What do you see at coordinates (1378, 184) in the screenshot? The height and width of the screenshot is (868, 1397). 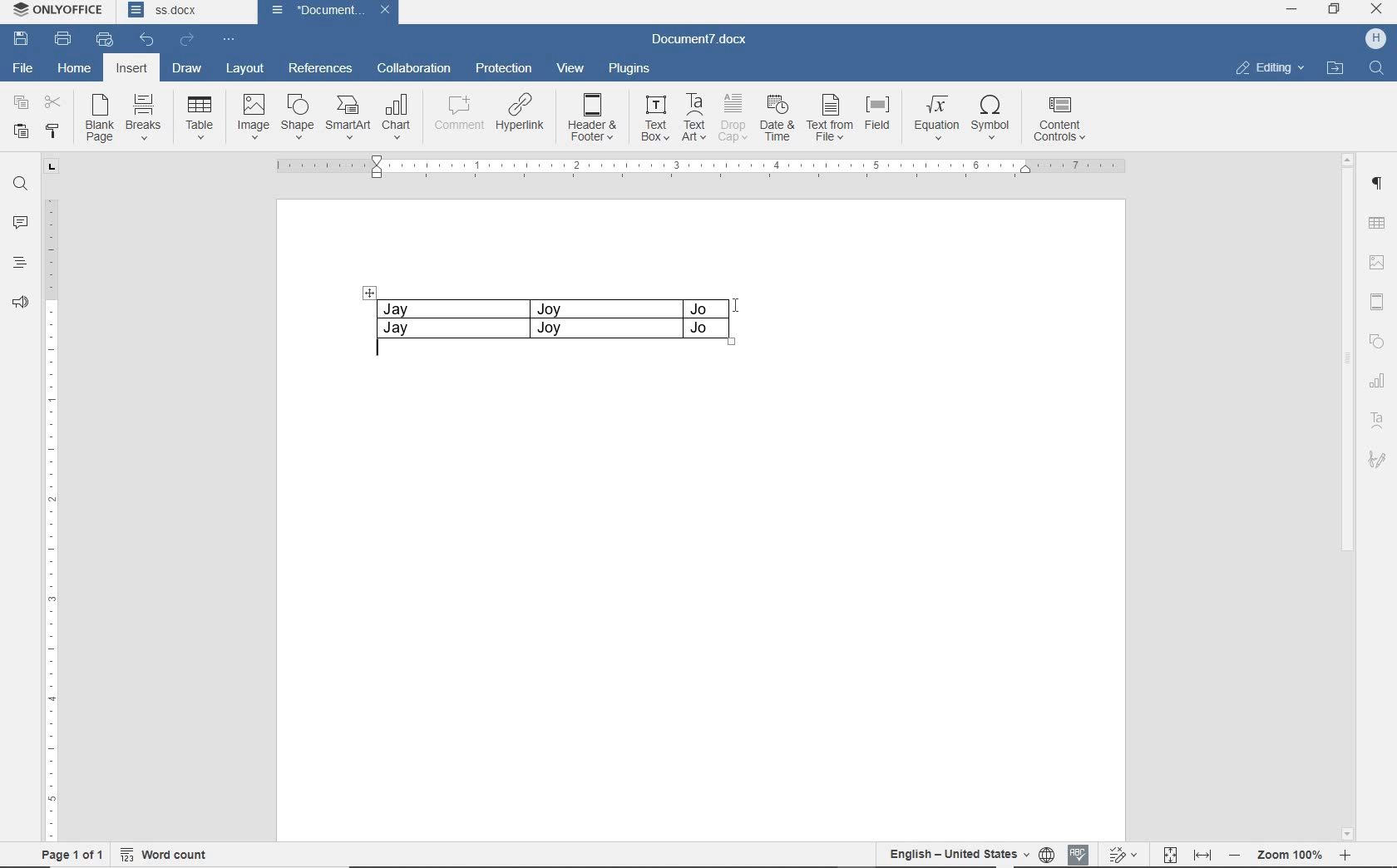 I see `PARAGRAPH SETTINGS` at bounding box center [1378, 184].